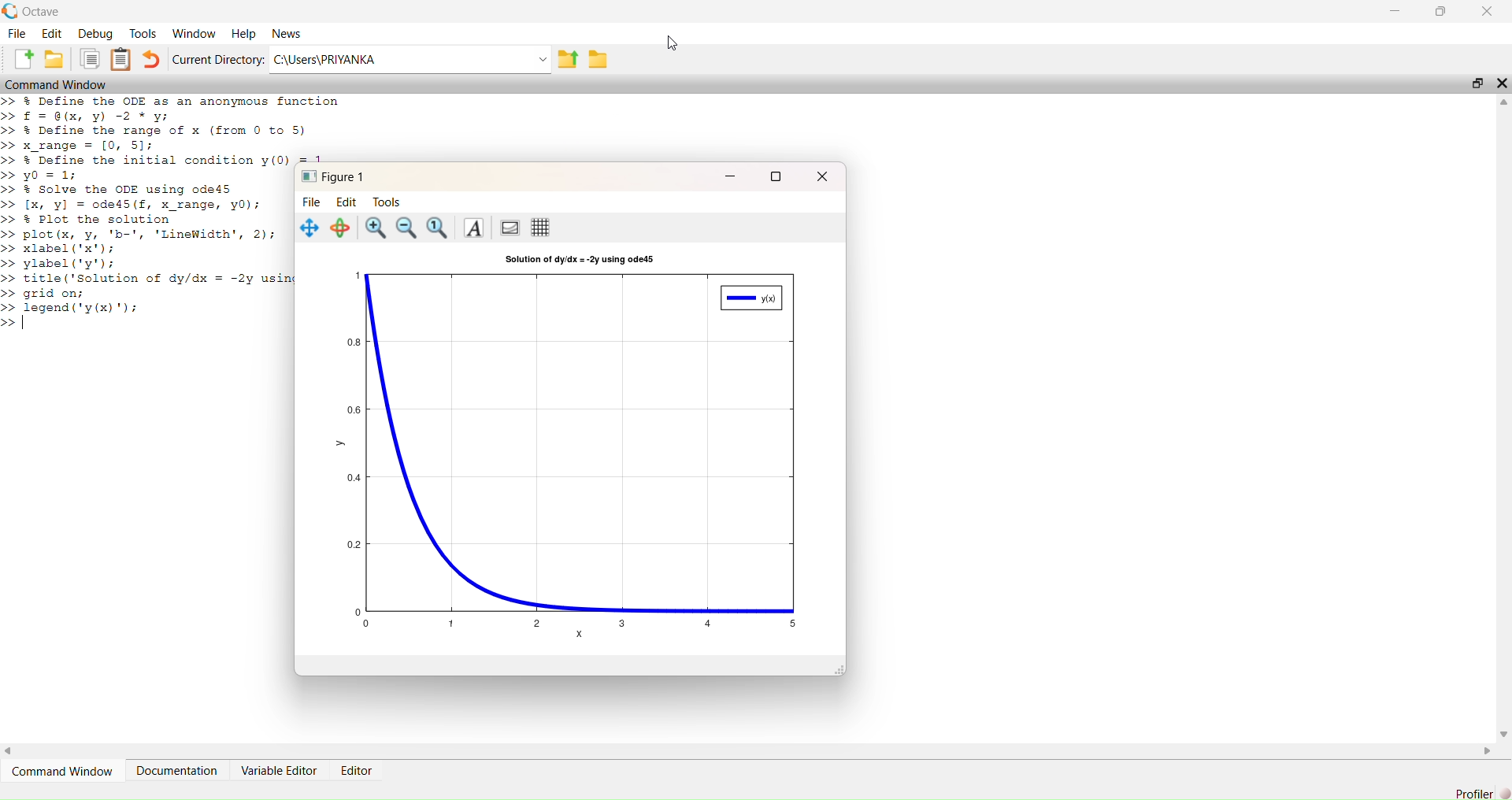 Image resolution: width=1512 pixels, height=800 pixels. I want to click on minimize, so click(1395, 11).